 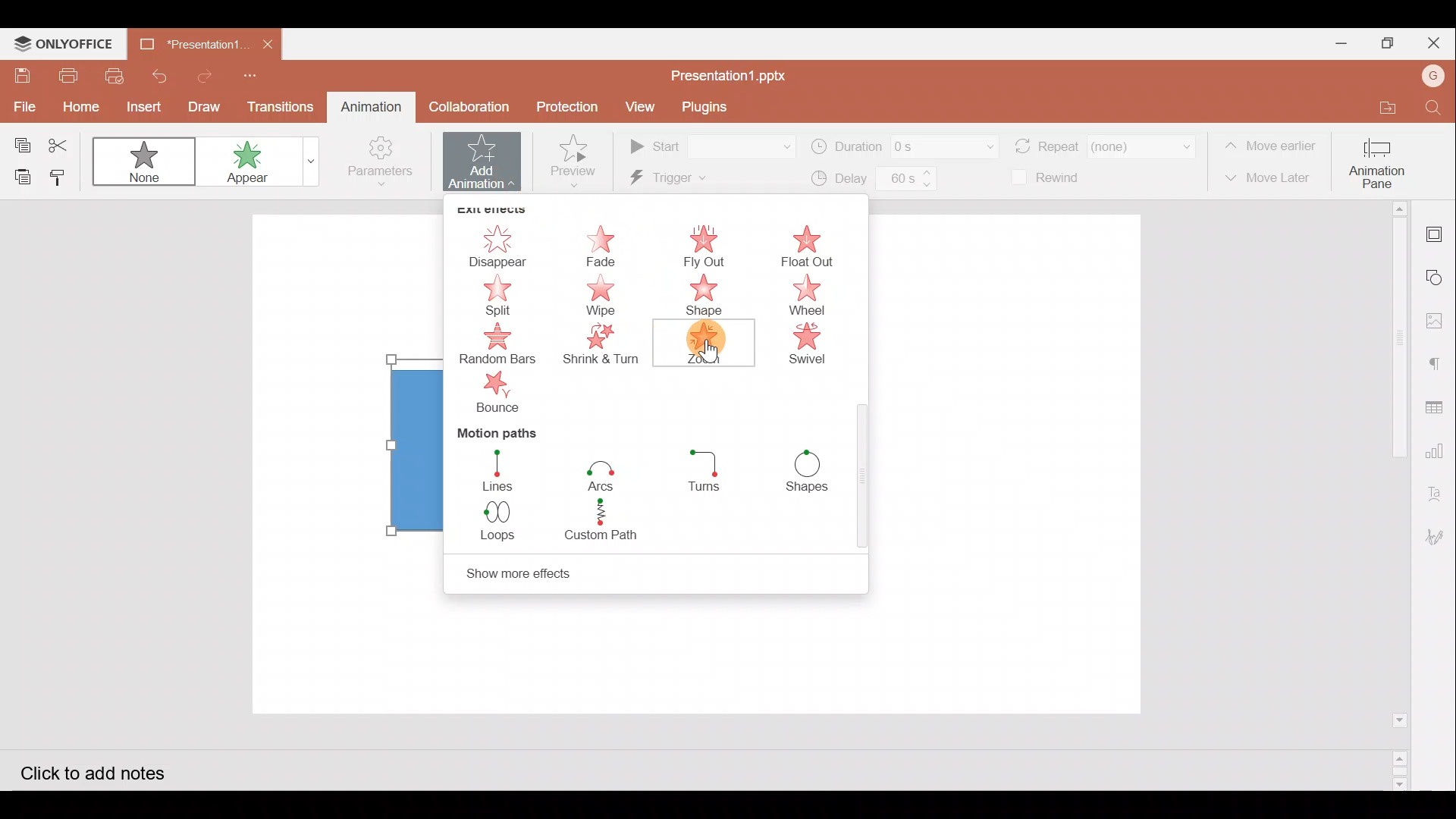 I want to click on Presentation1., so click(x=188, y=40).